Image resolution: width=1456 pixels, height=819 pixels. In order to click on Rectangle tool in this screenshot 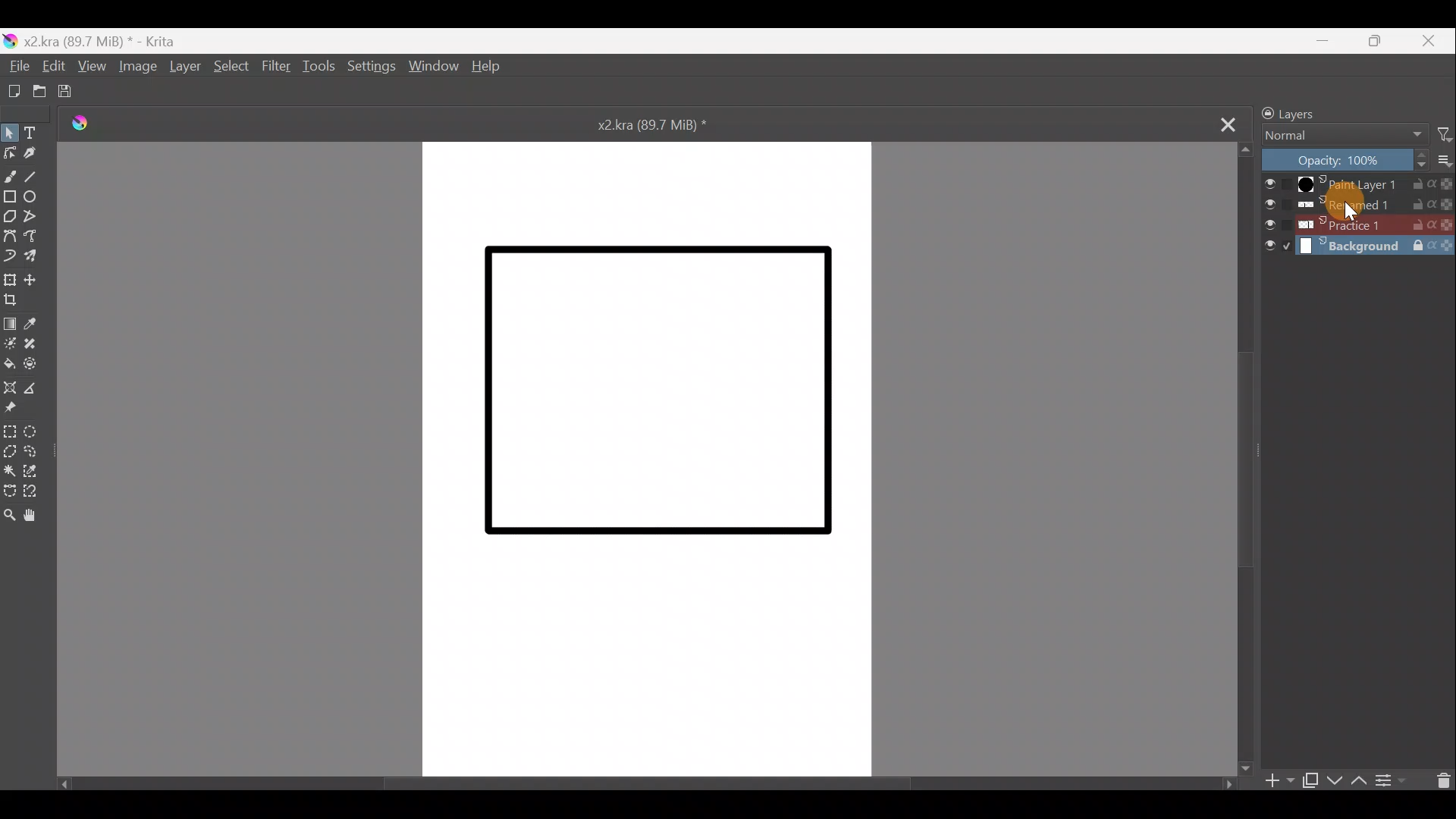, I will do `click(10, 198)`.